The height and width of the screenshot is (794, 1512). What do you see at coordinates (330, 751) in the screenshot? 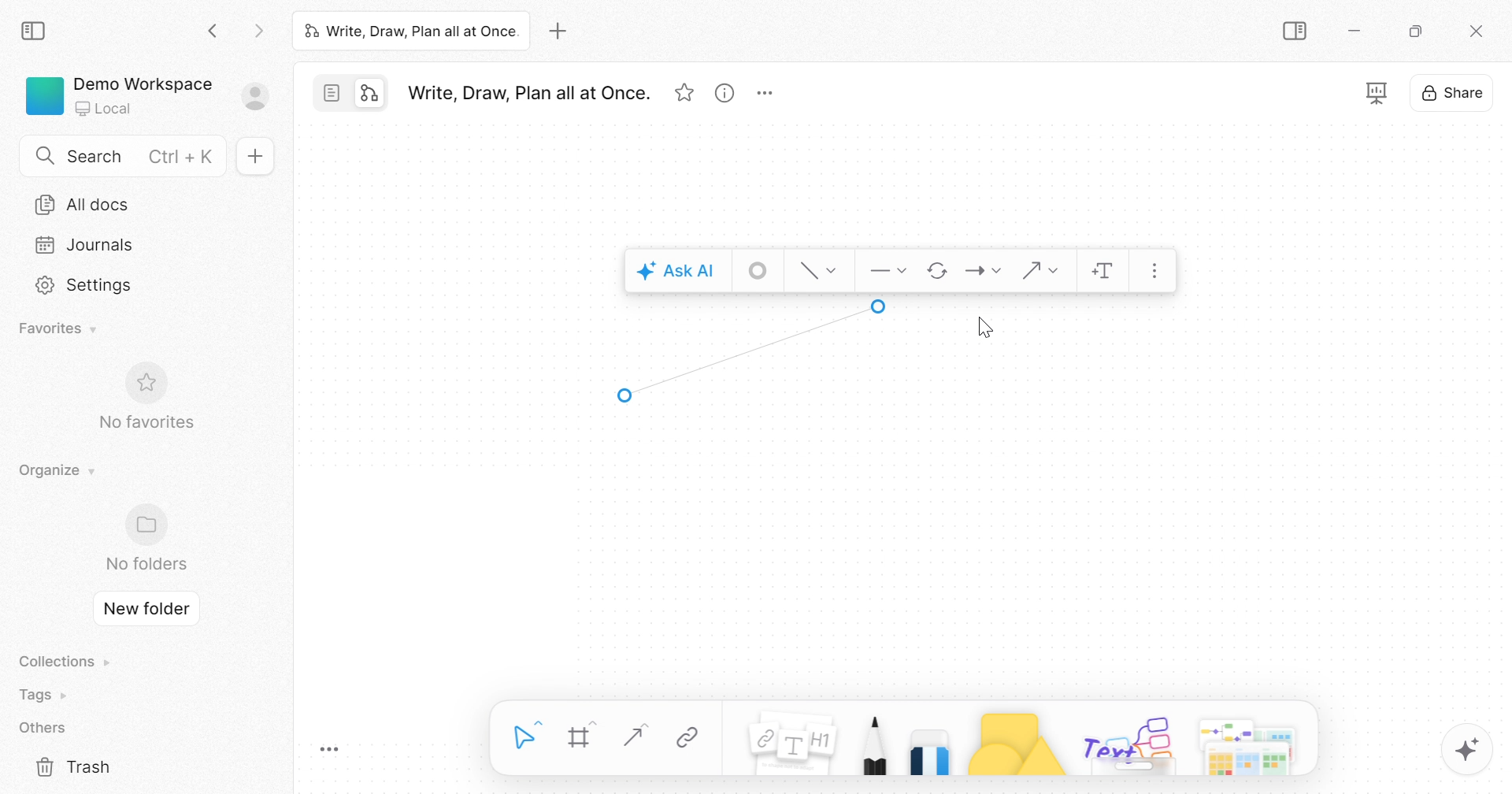
I see `Toggle Zoom Tool Bar` at bounding box center [330, 751].